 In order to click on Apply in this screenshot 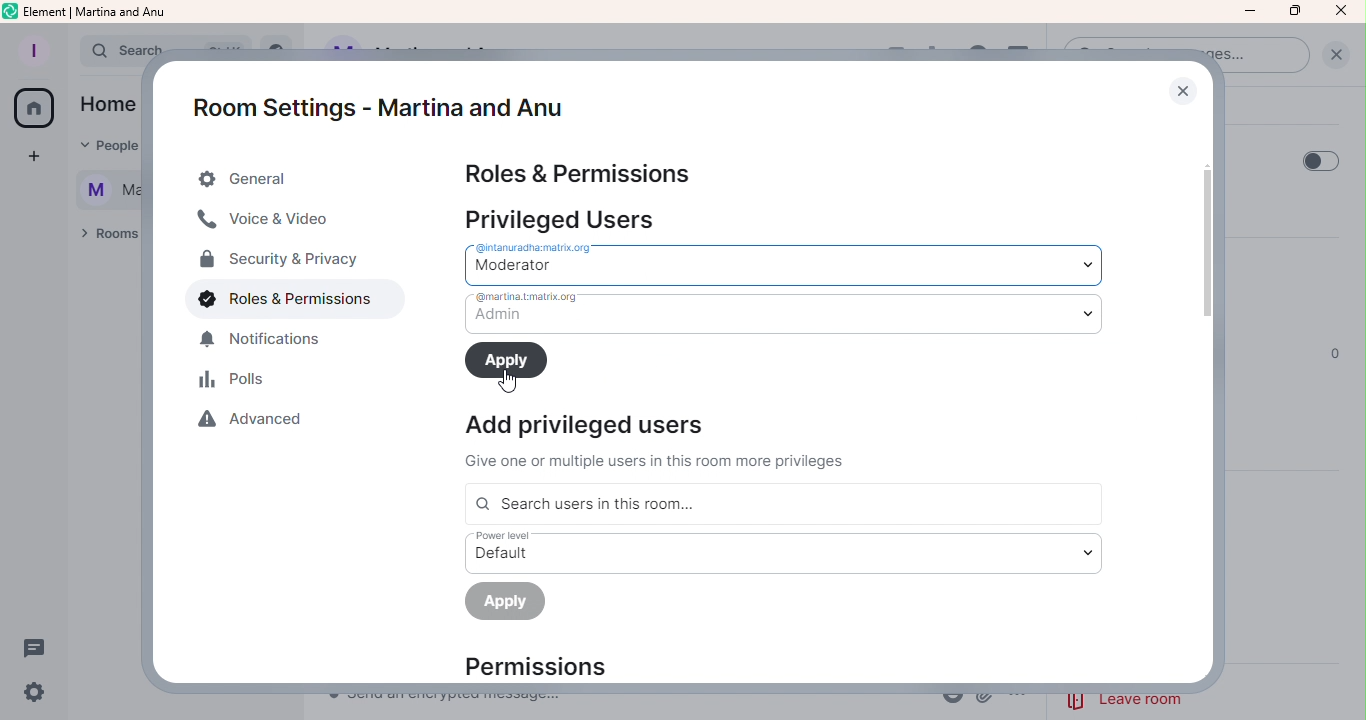, I will do `click(507, 604)`.